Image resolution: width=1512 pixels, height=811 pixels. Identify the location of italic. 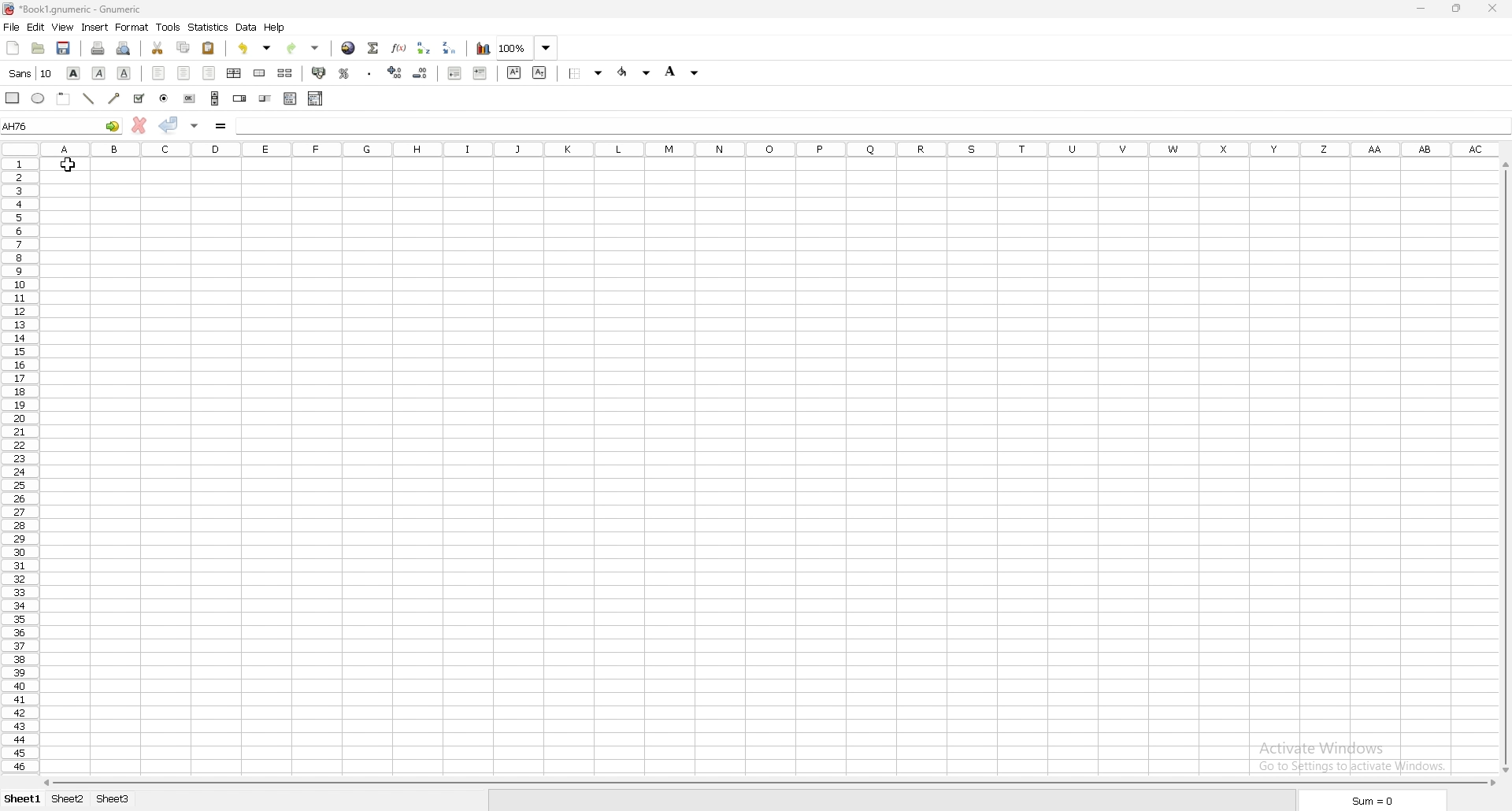
(98, 74).